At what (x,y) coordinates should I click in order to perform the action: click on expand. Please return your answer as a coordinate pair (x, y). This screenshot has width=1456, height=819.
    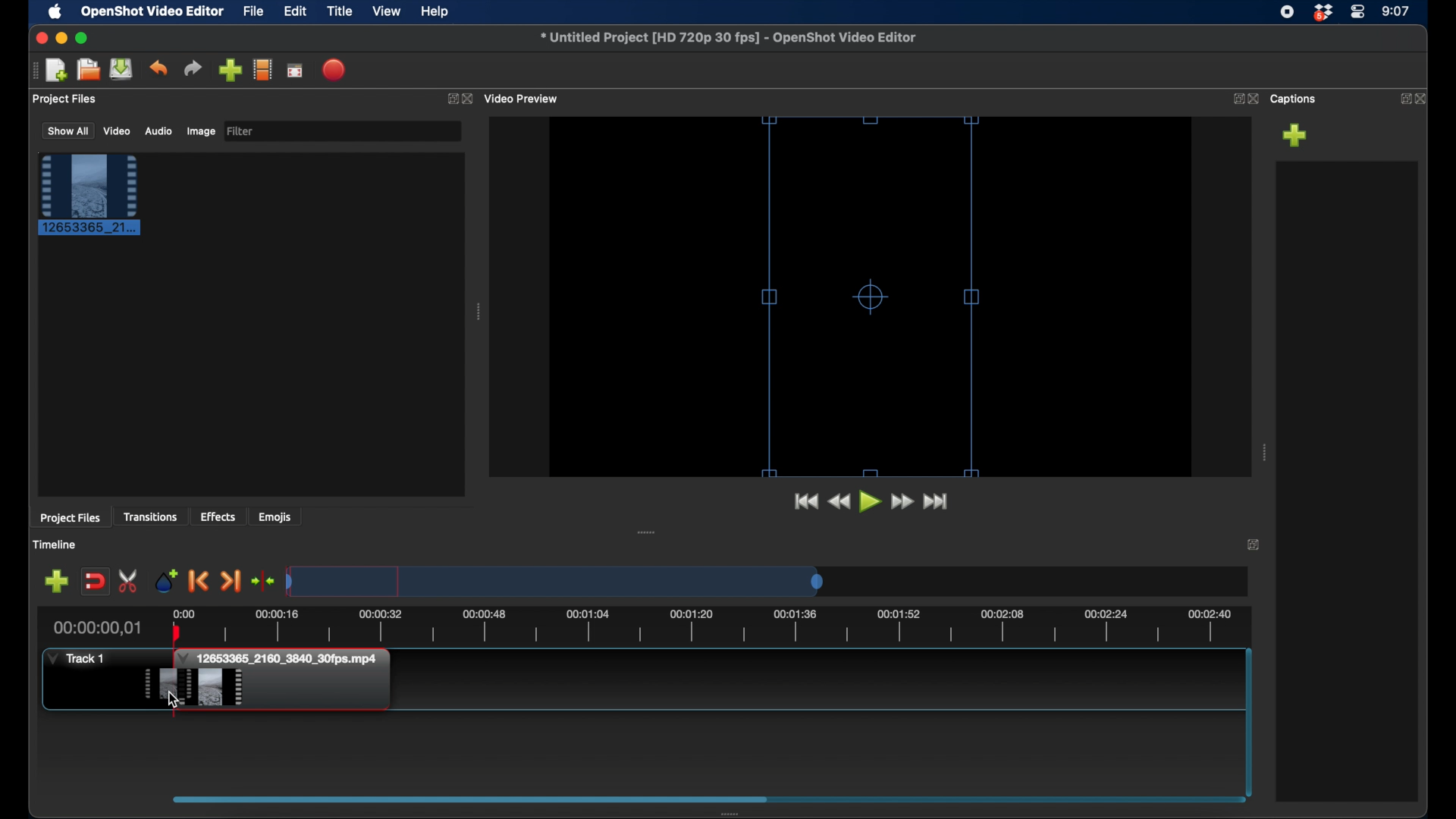
    Looking at the image, I should click on (1401, 98).